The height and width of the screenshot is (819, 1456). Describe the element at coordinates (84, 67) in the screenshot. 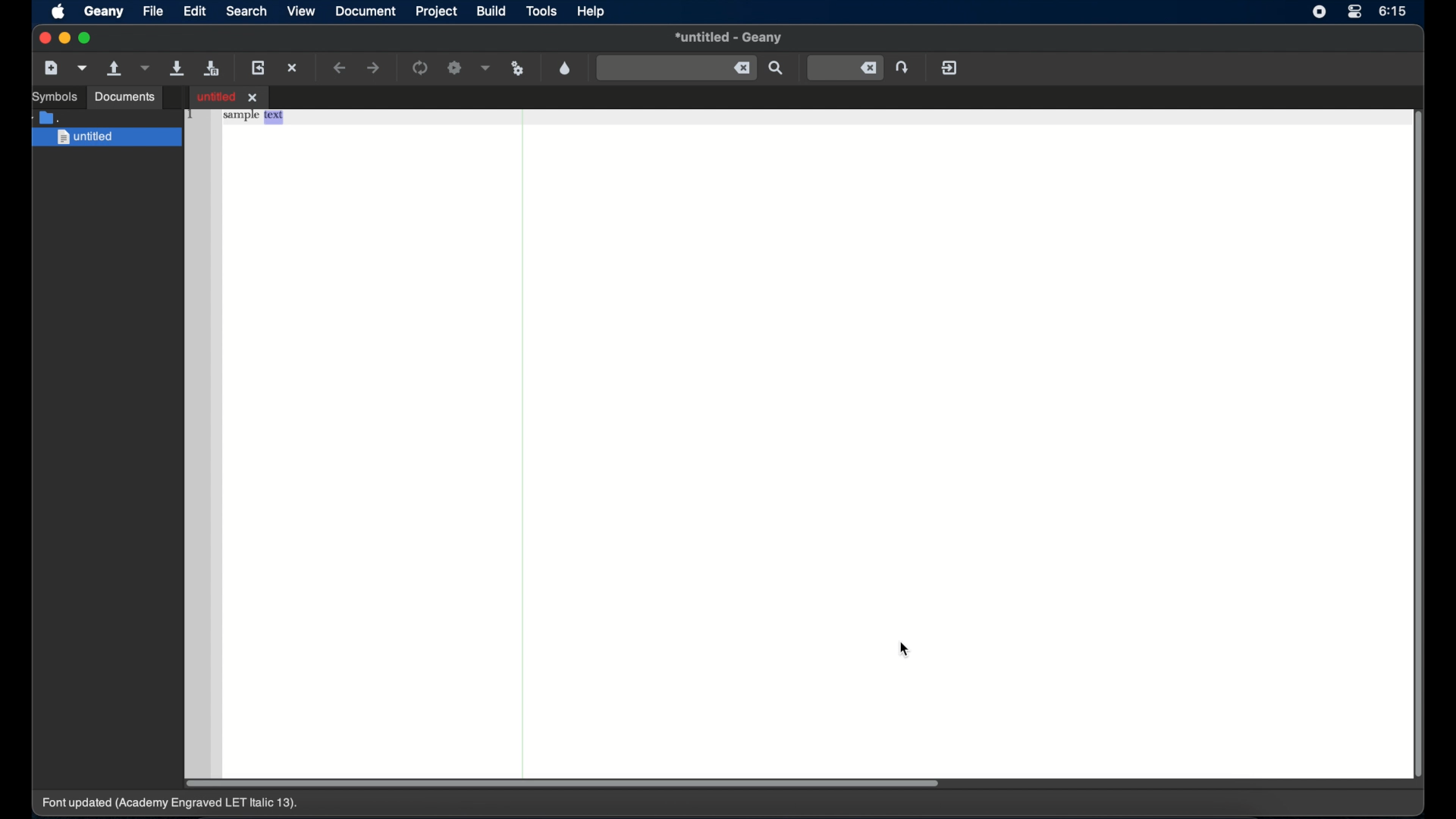

I see `open a file from template` at that location.